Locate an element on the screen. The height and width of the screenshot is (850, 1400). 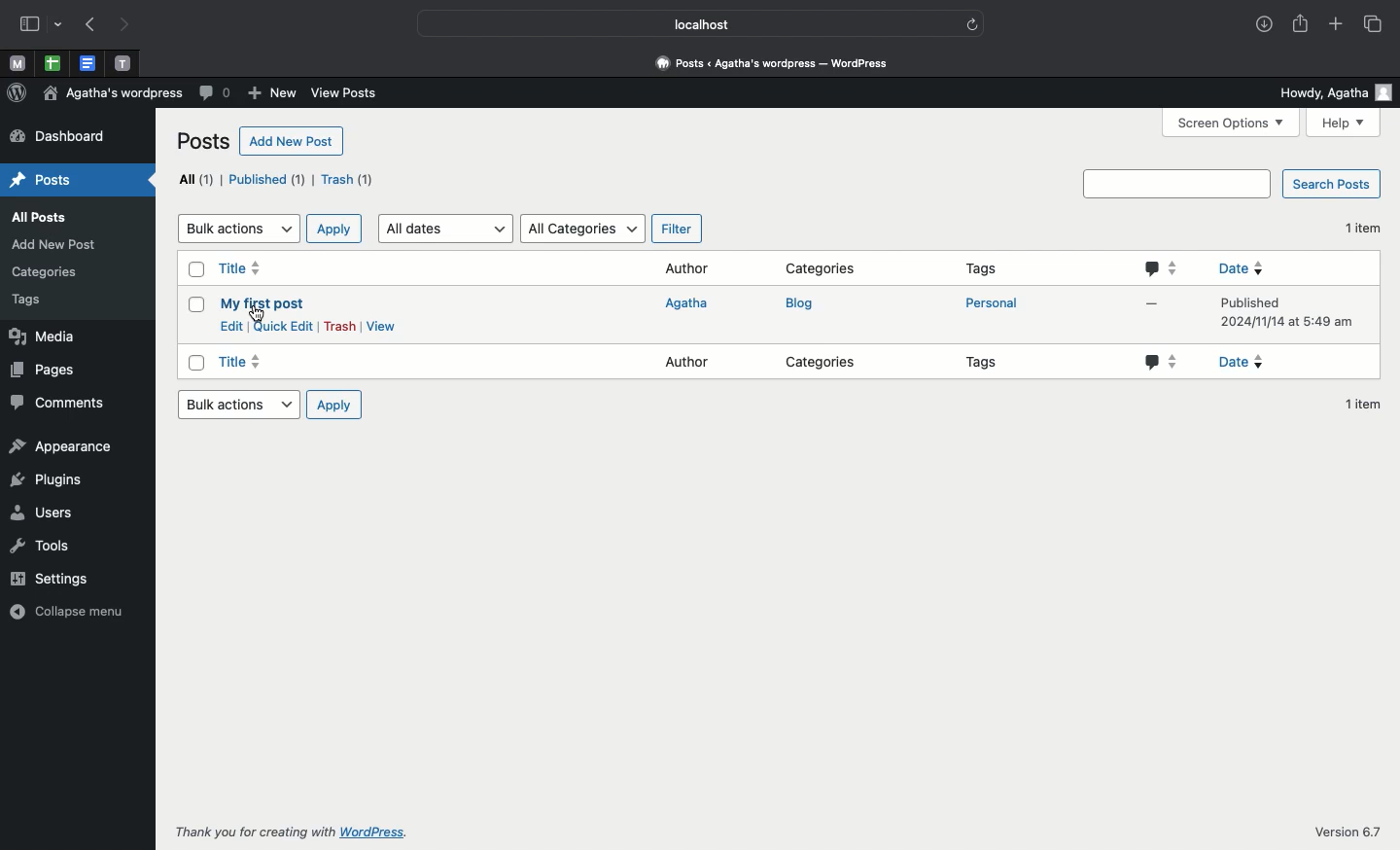
Comments is located at coordinates (214, 94).